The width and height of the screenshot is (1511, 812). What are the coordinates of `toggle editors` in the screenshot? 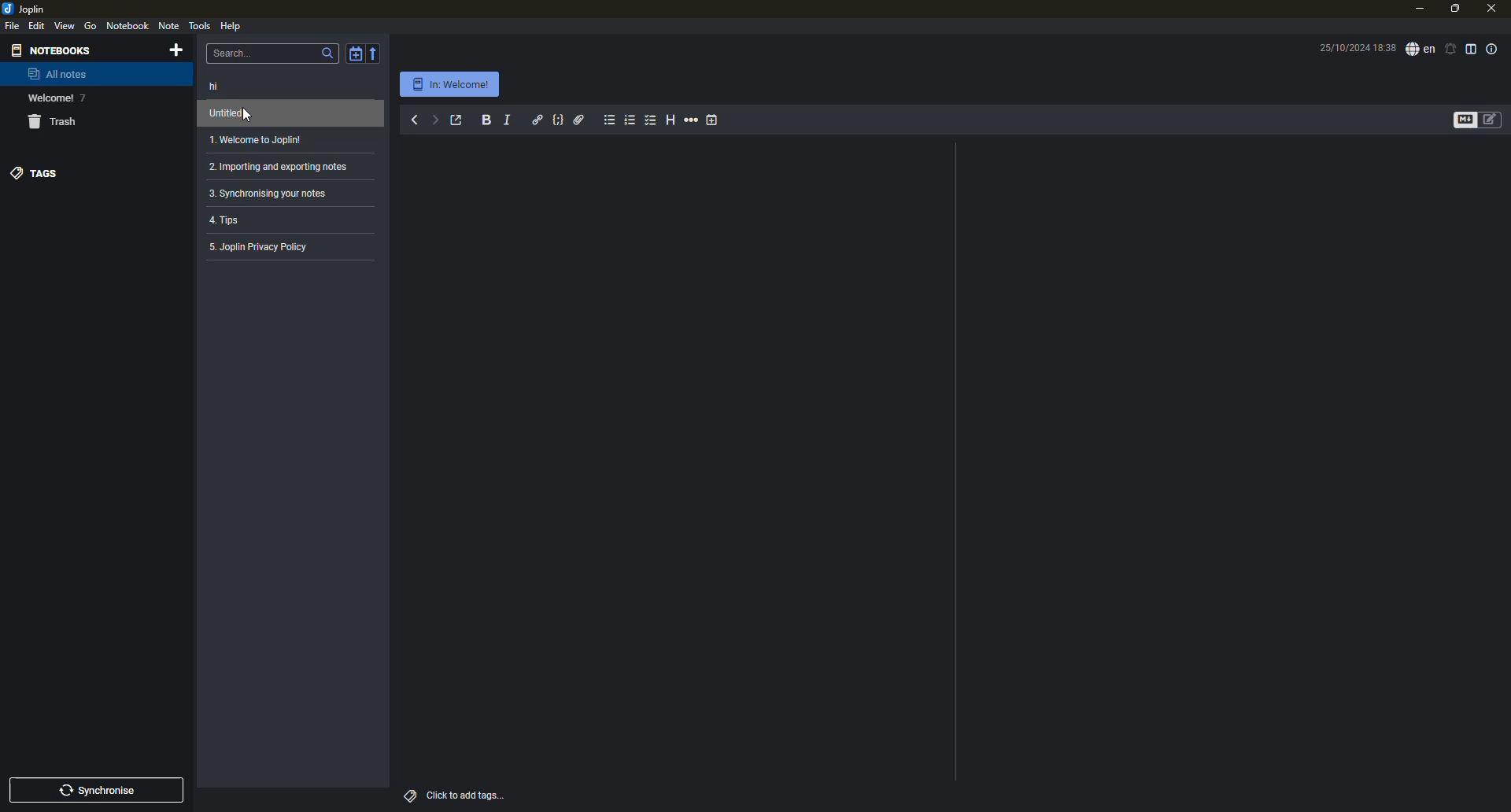 It's located at (1490, 119).